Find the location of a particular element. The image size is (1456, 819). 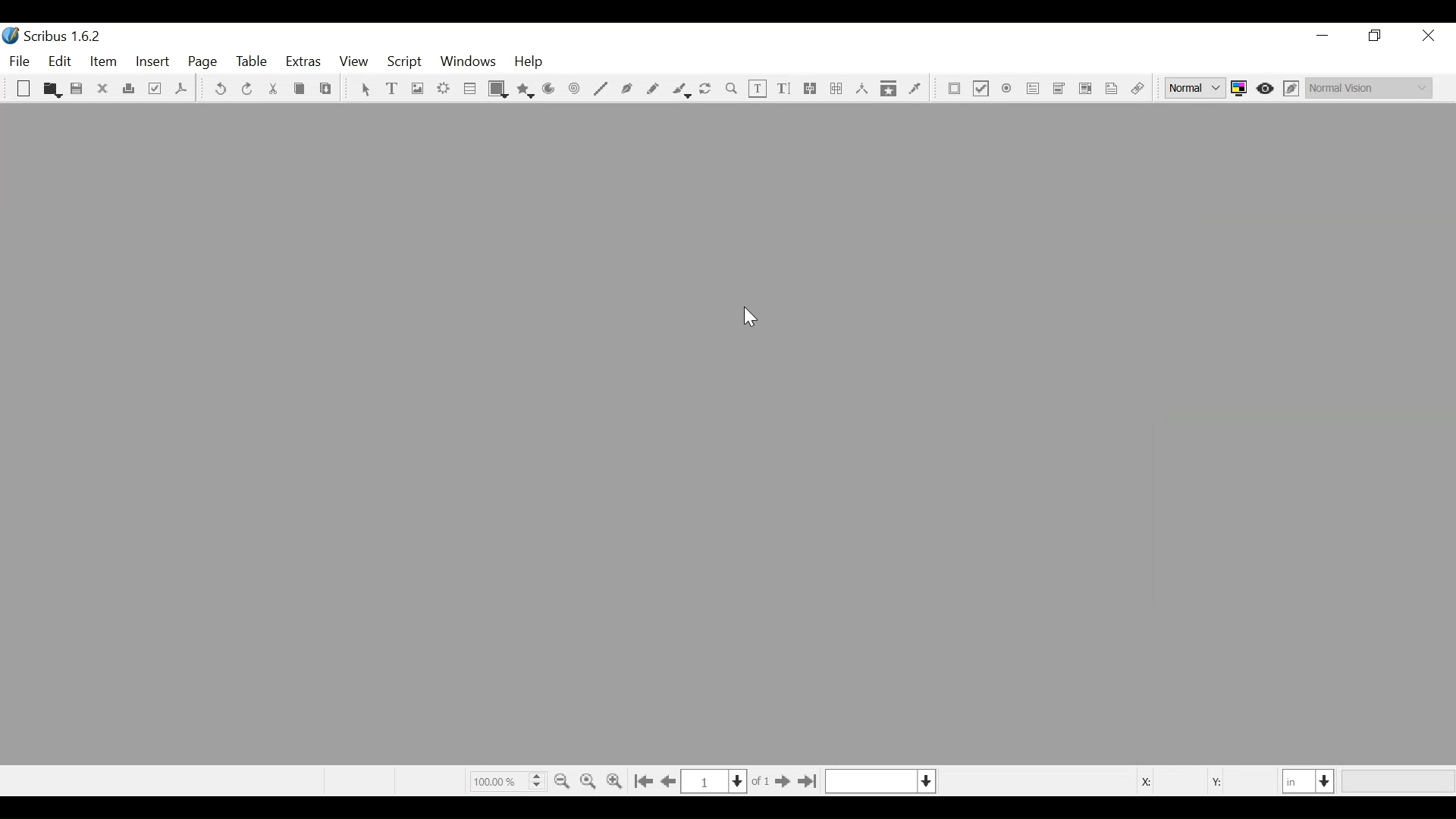

PDF Radio Button is located at coordinates (1008, 90).